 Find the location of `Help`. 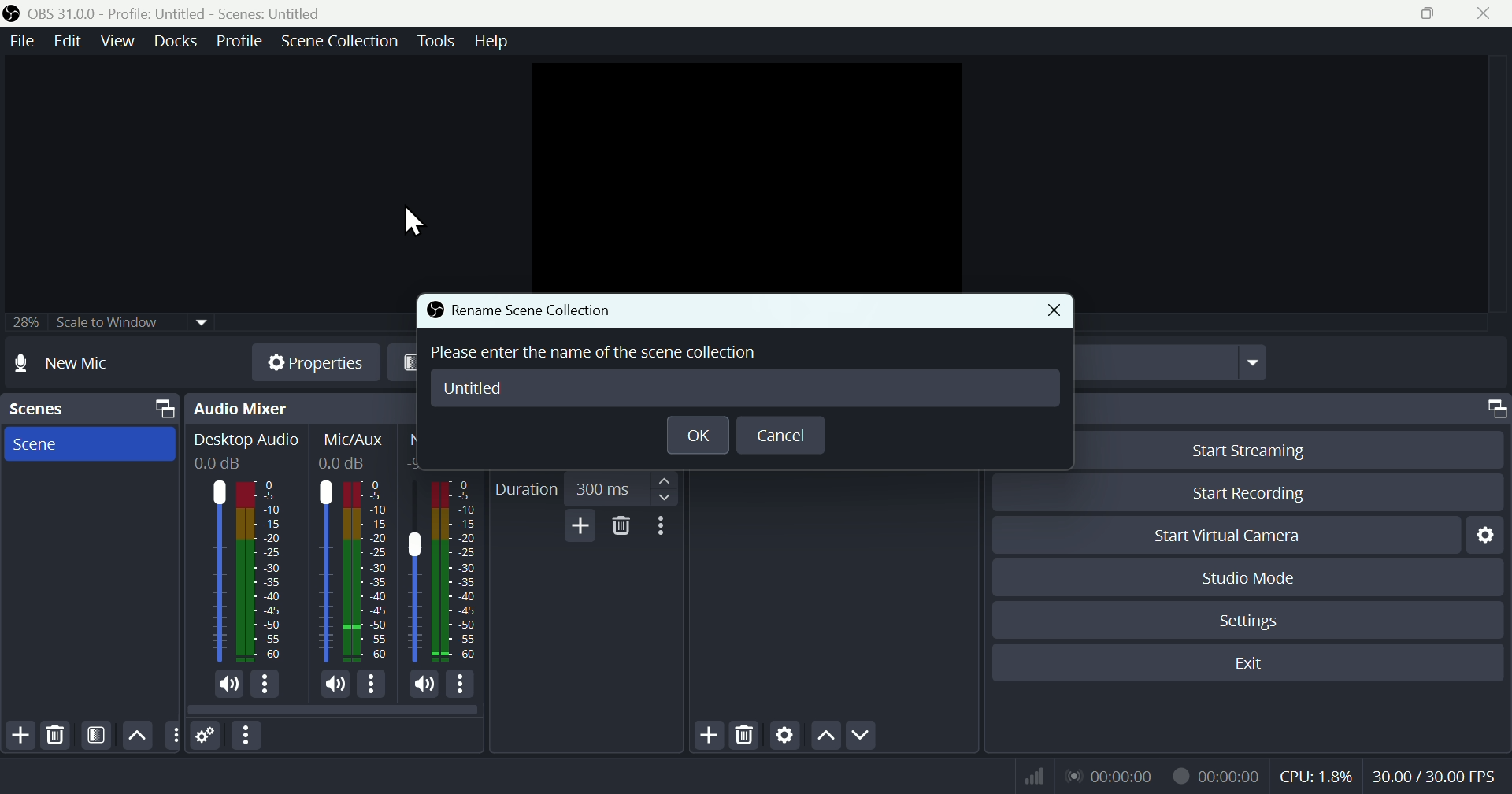

Help is located at coordinates (494, 43).